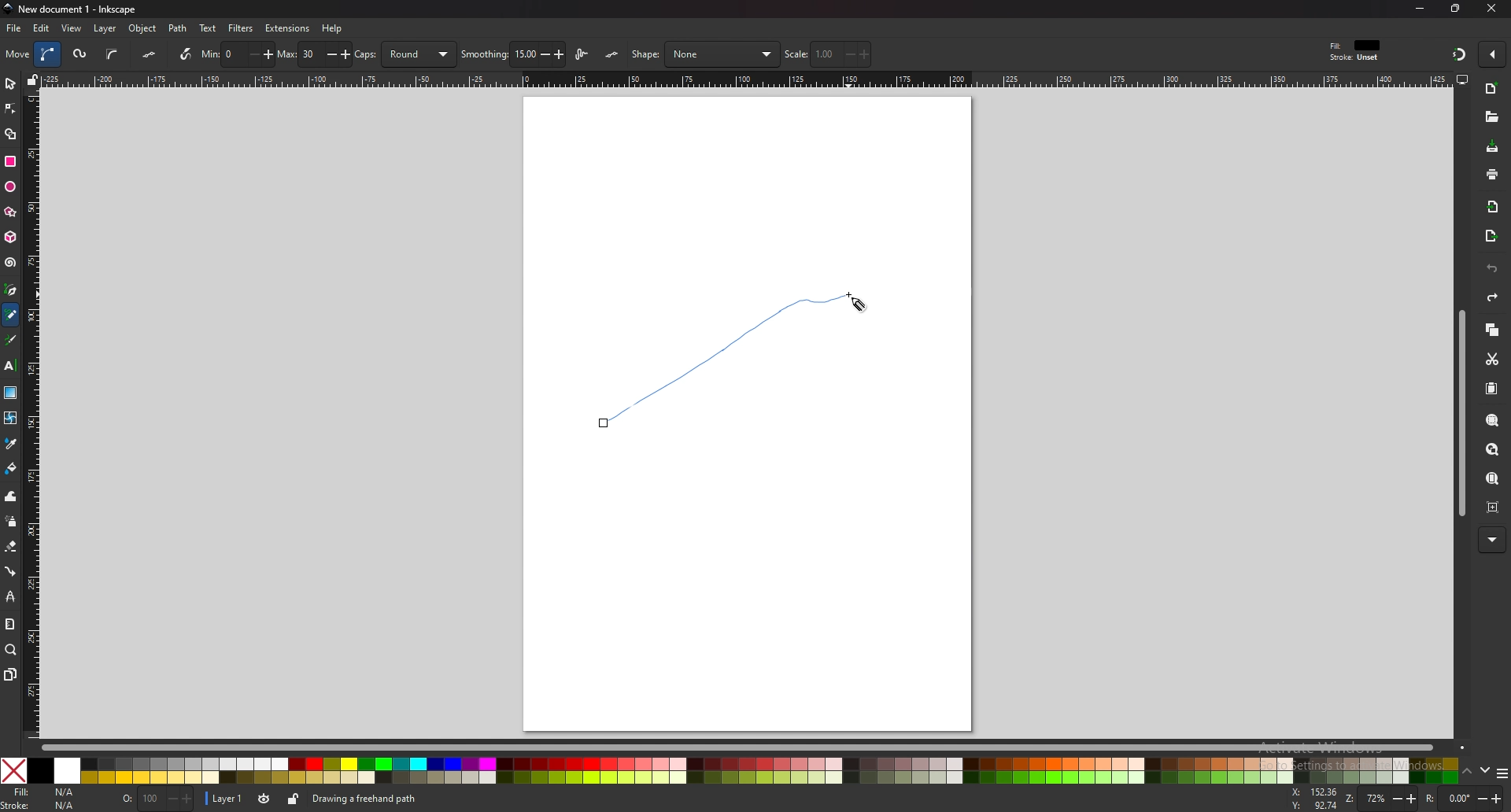  I want to click on lpe, so click(10, 596).